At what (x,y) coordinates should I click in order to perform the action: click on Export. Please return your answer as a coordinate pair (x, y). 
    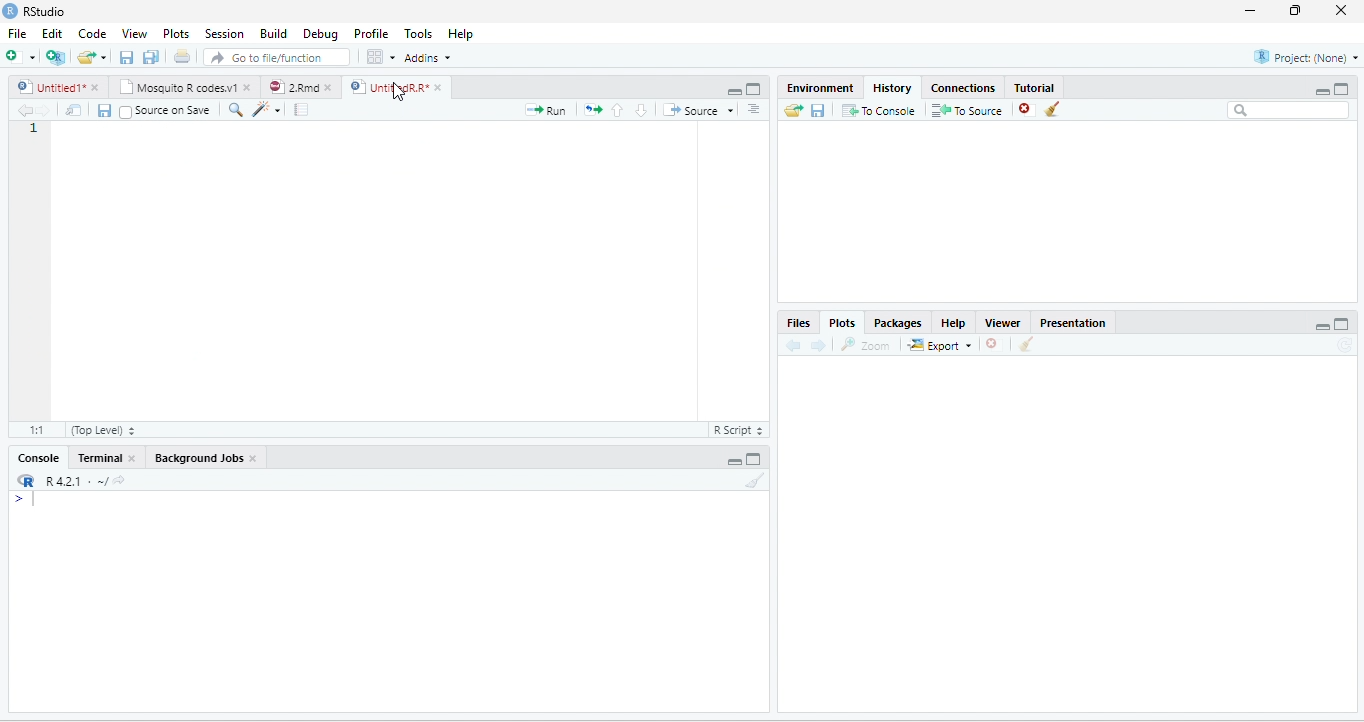
    Looking at the image, I should click on (939, 345).